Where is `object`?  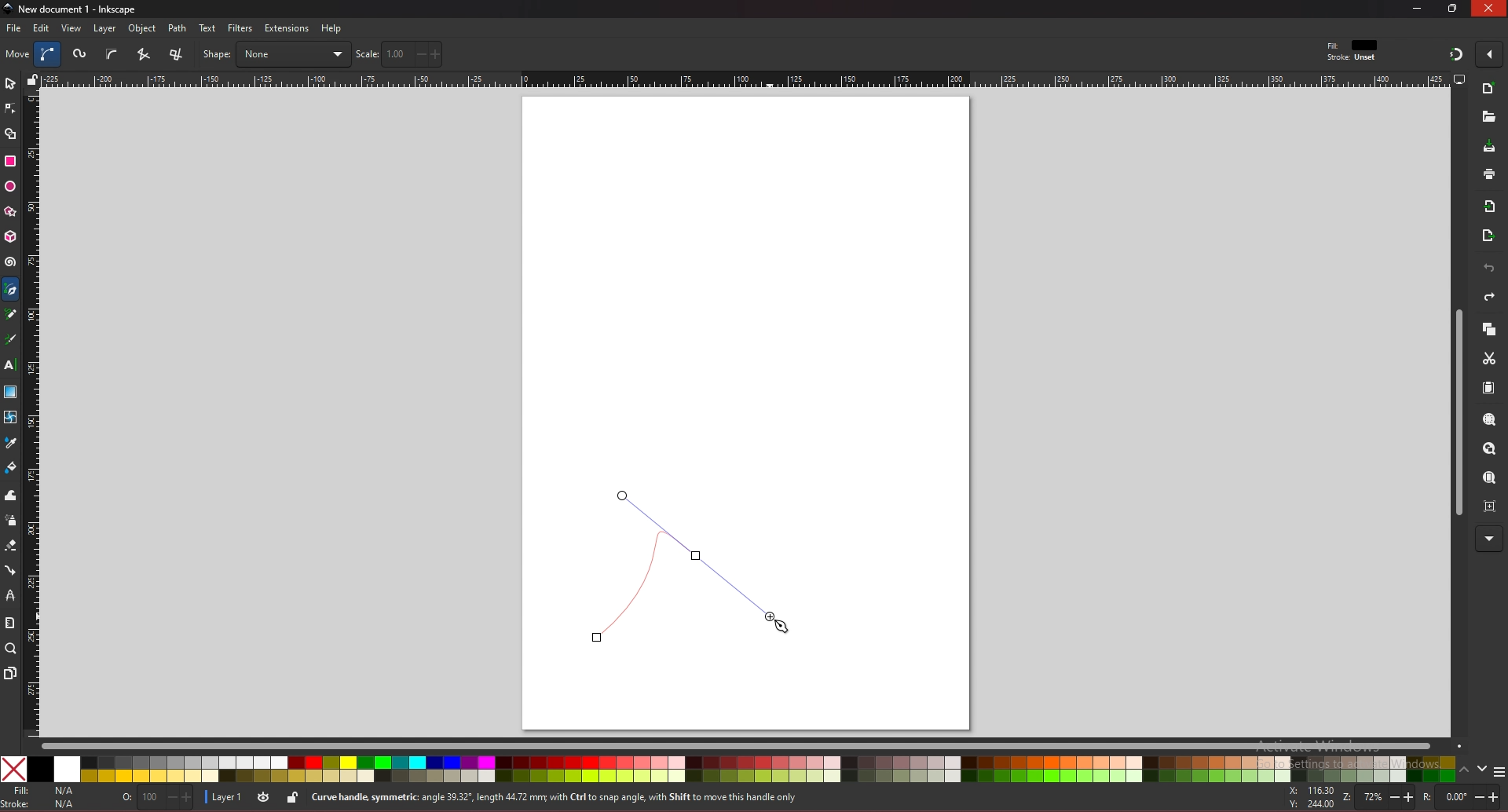 object is located at coordinates (145, 29).